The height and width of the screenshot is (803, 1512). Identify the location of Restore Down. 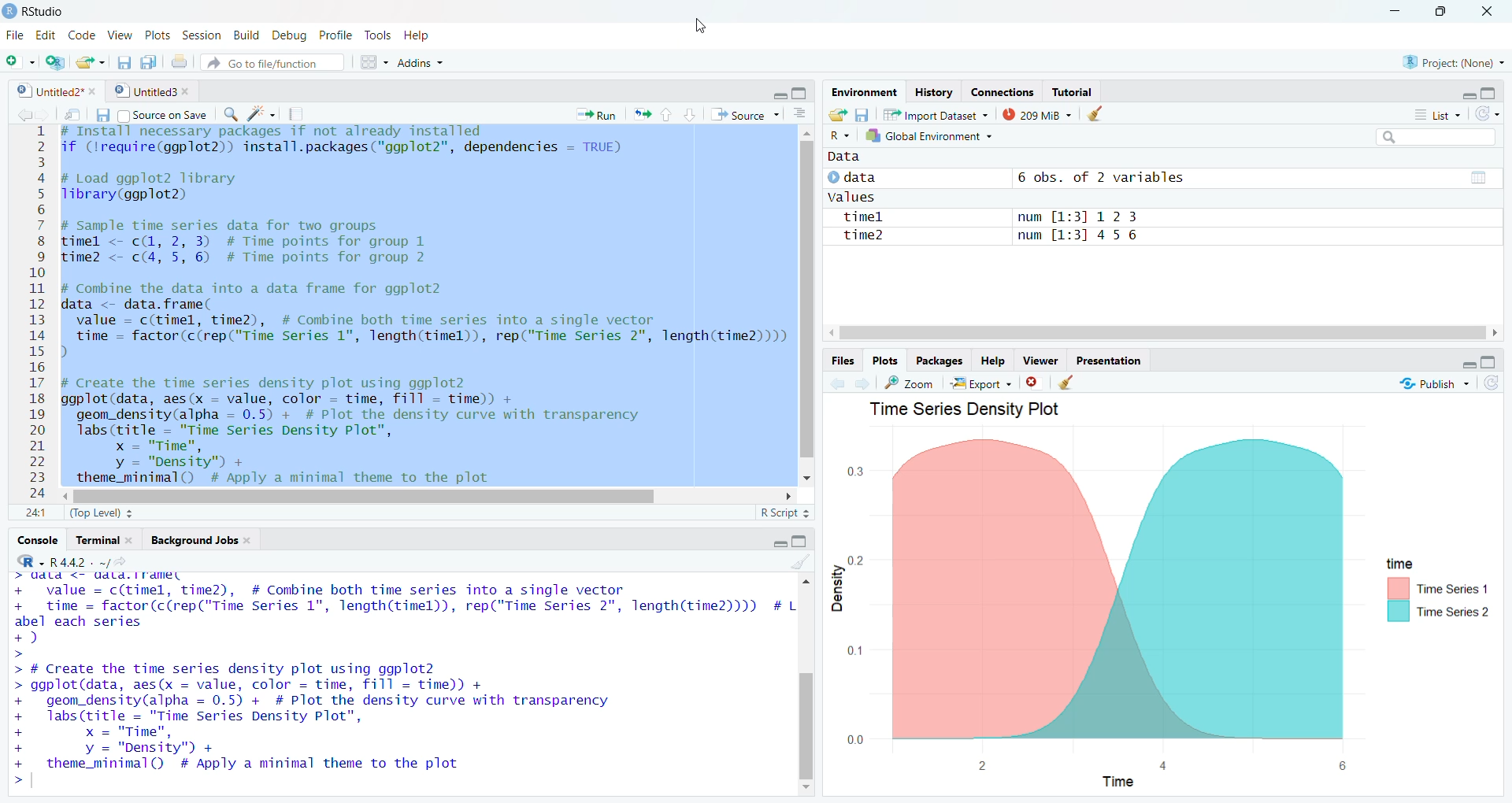
(1440, 12).